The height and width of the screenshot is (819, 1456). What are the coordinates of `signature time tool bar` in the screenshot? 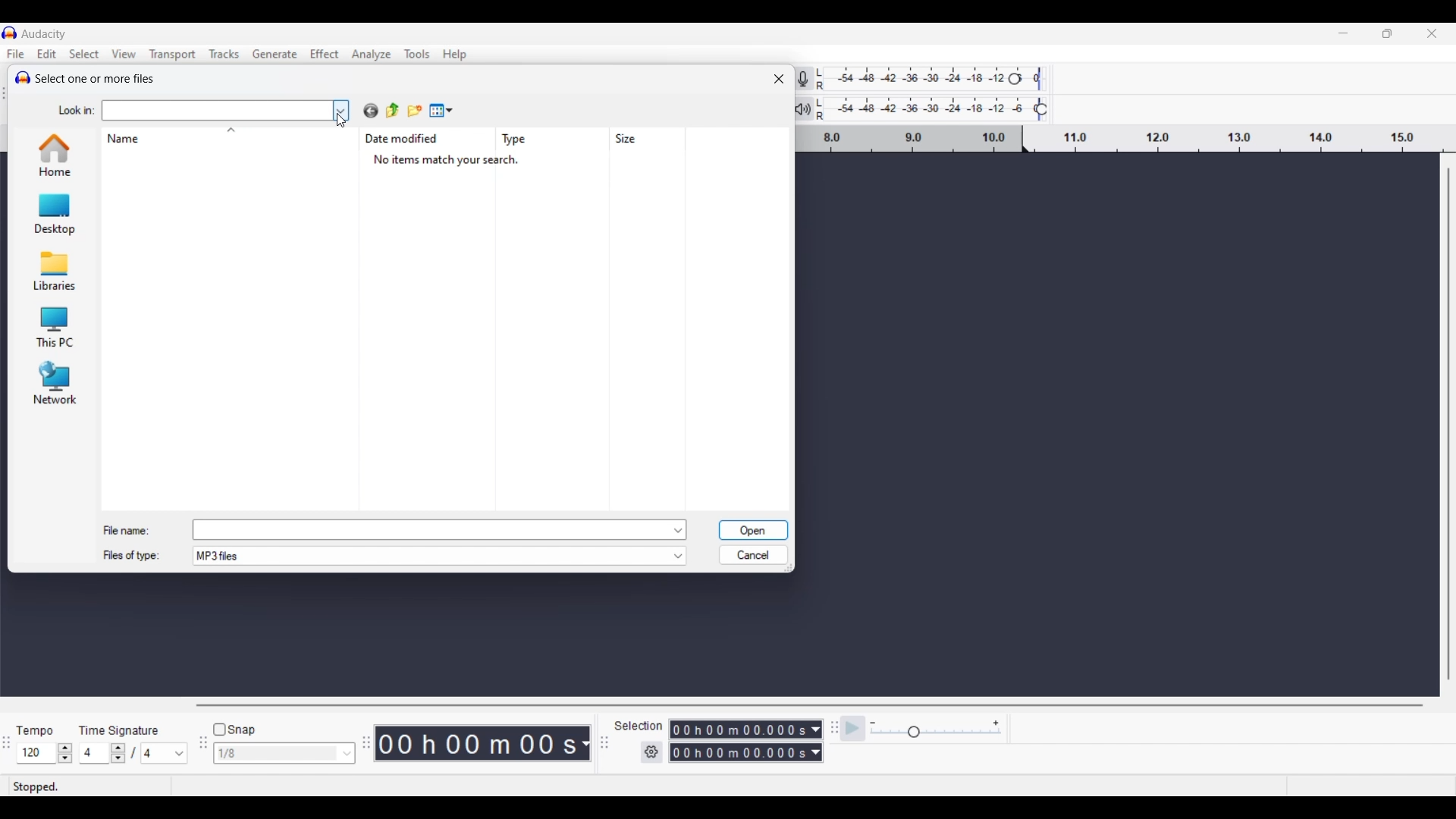 It's located at (832, 727).